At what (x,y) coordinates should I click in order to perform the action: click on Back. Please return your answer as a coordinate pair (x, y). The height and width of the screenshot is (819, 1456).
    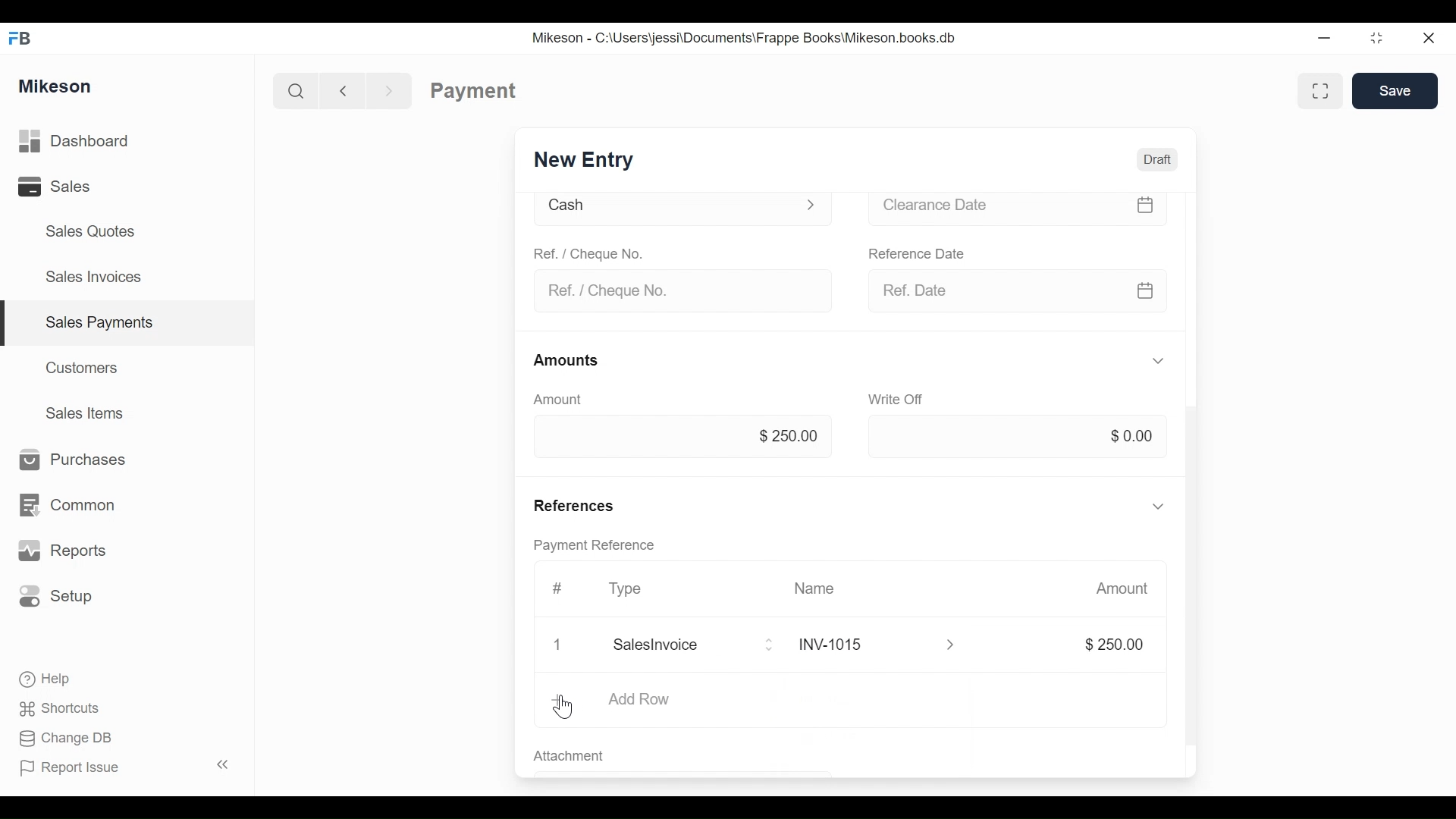
    Looking at the image, I should click on (350, 89).